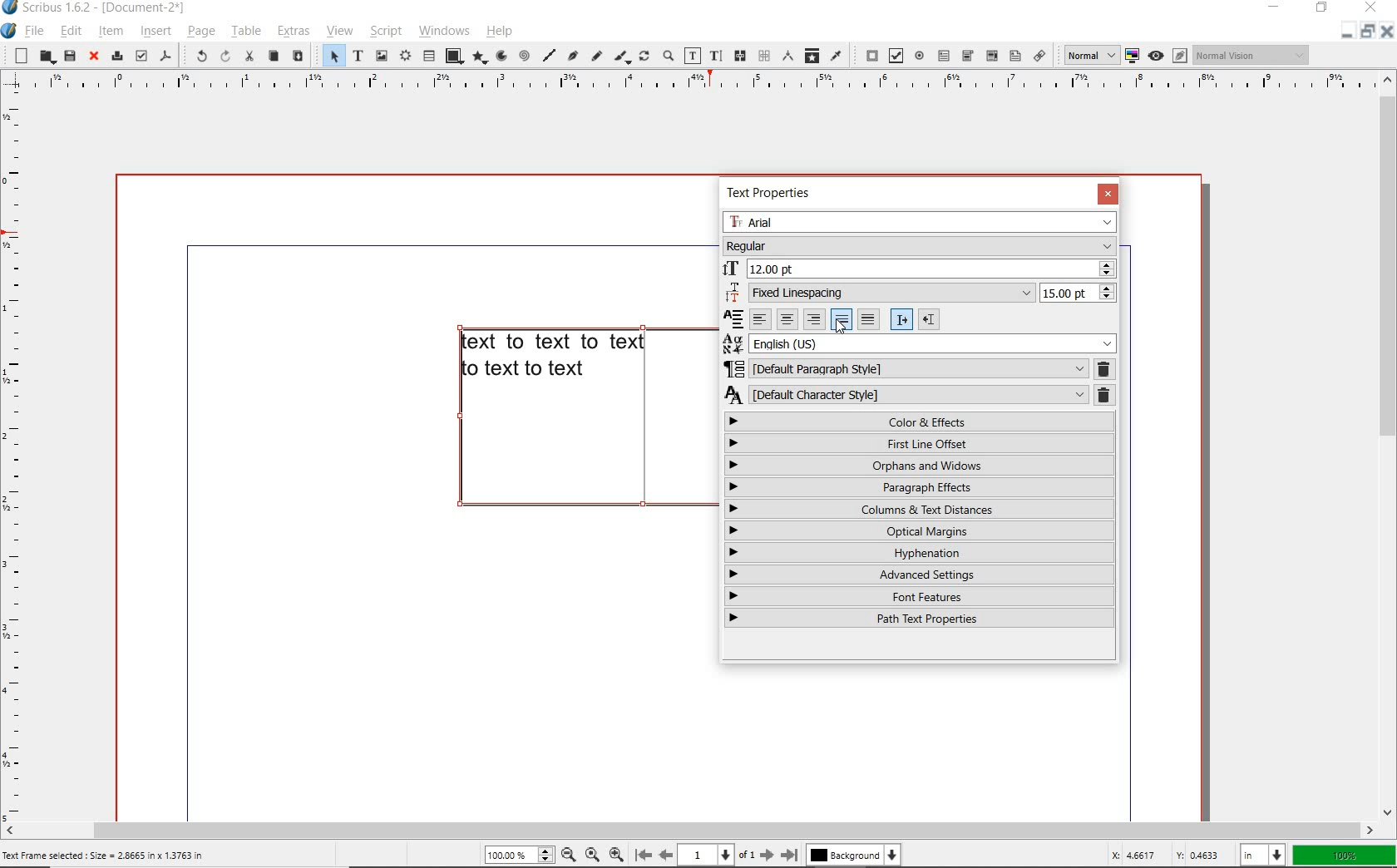 This screenshot has width=1397, height=868. What do you see at coordinates (338, 31) in the screenshot?
I see `view` at bounding box center [338, 31].